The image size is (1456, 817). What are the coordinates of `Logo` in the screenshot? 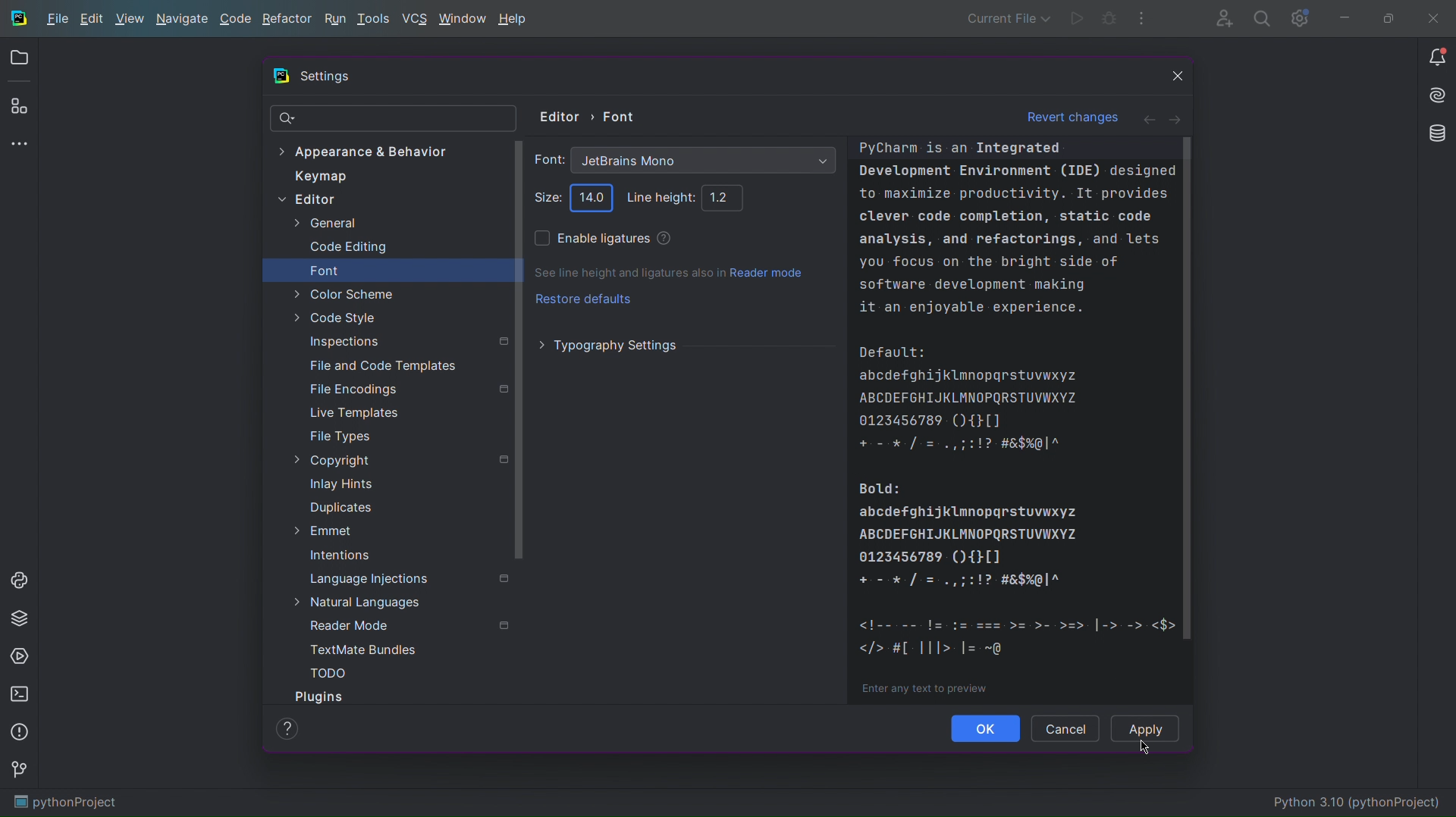 It's located at (17, 20).